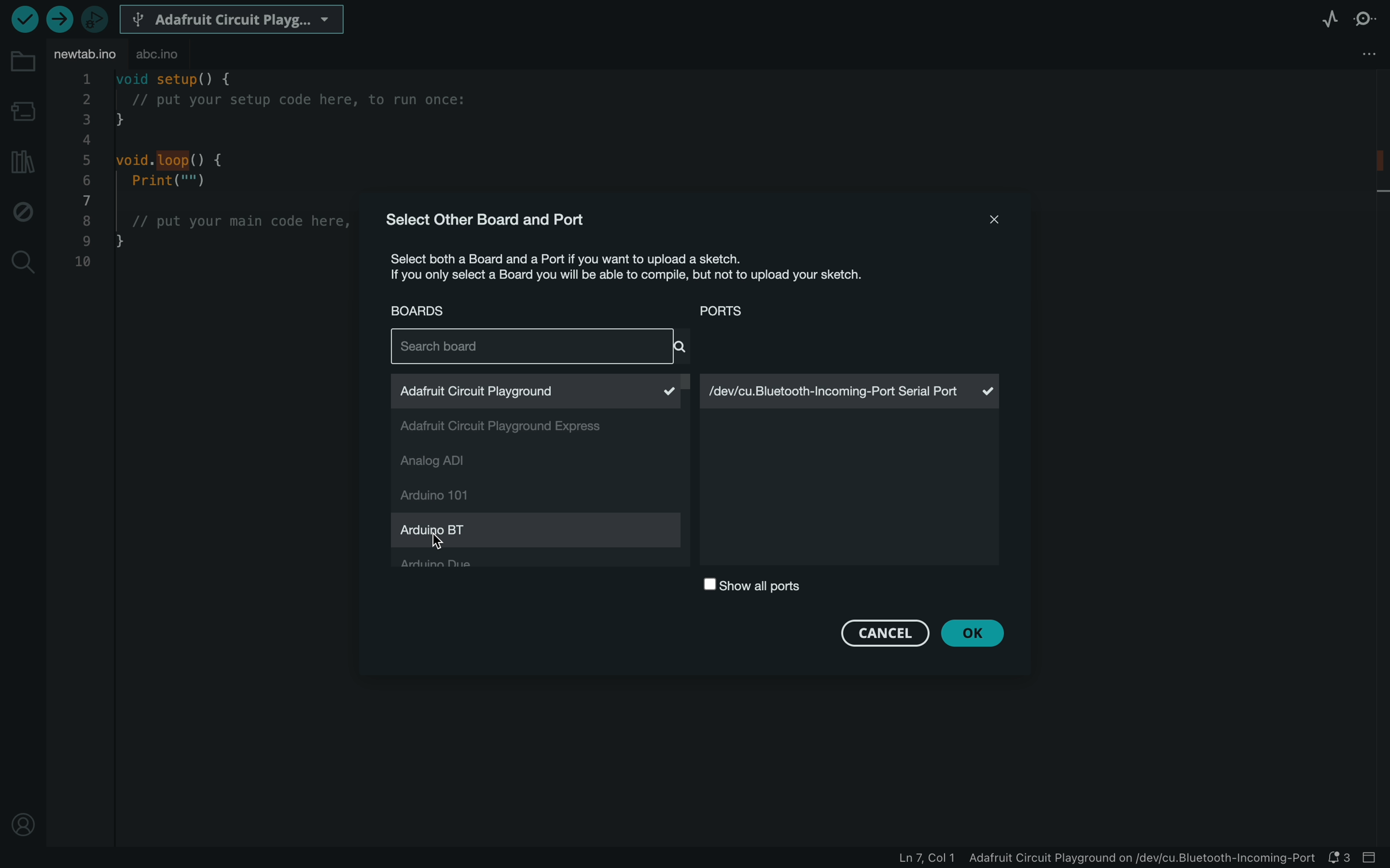 The image size is (1390, 868). Describe the element at coordinates (455, 533) in the screenshot. I see `arduino Bt` at that location.